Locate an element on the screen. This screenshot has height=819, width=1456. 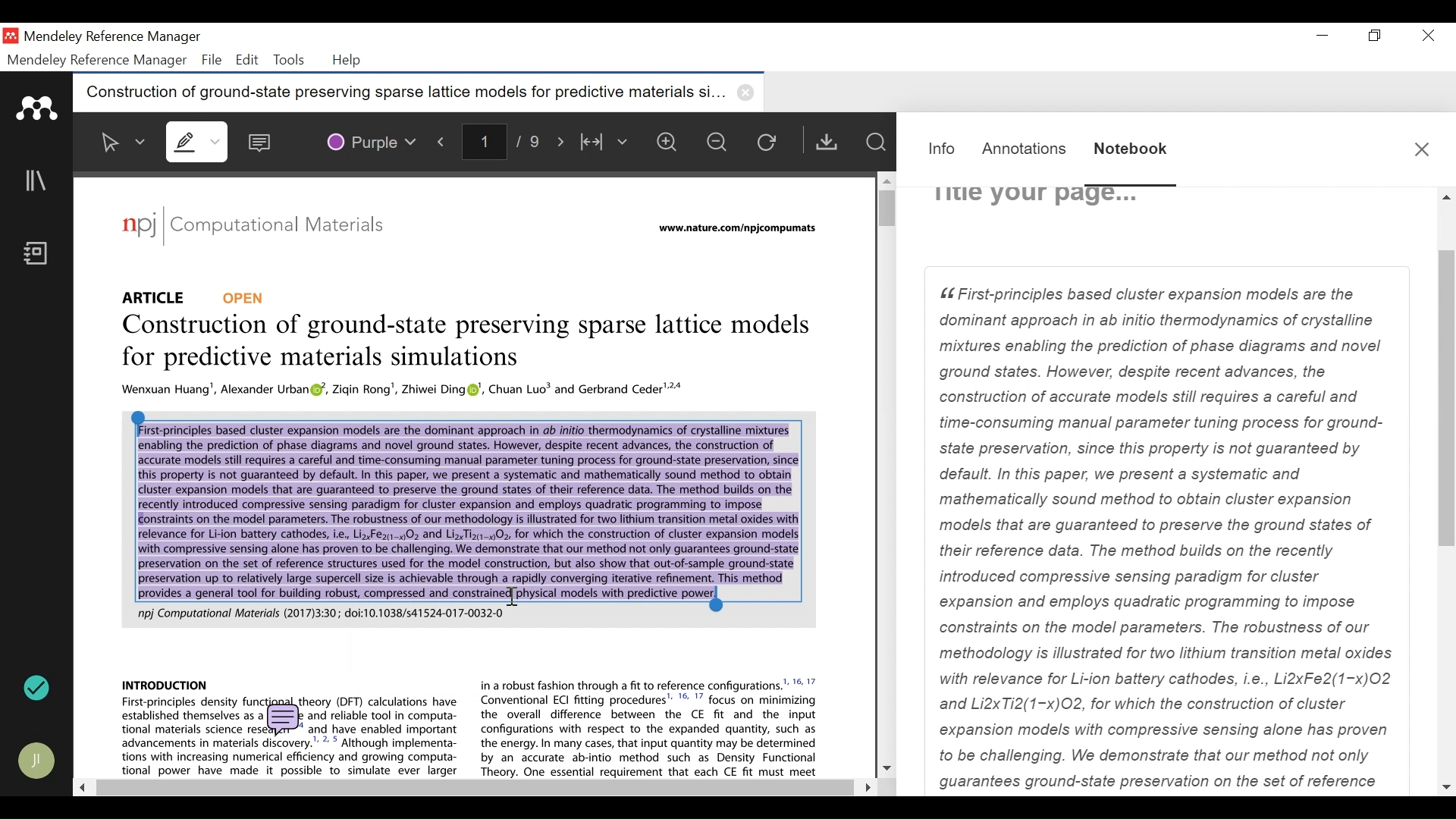
cursor is located at coordinates (516, 596).